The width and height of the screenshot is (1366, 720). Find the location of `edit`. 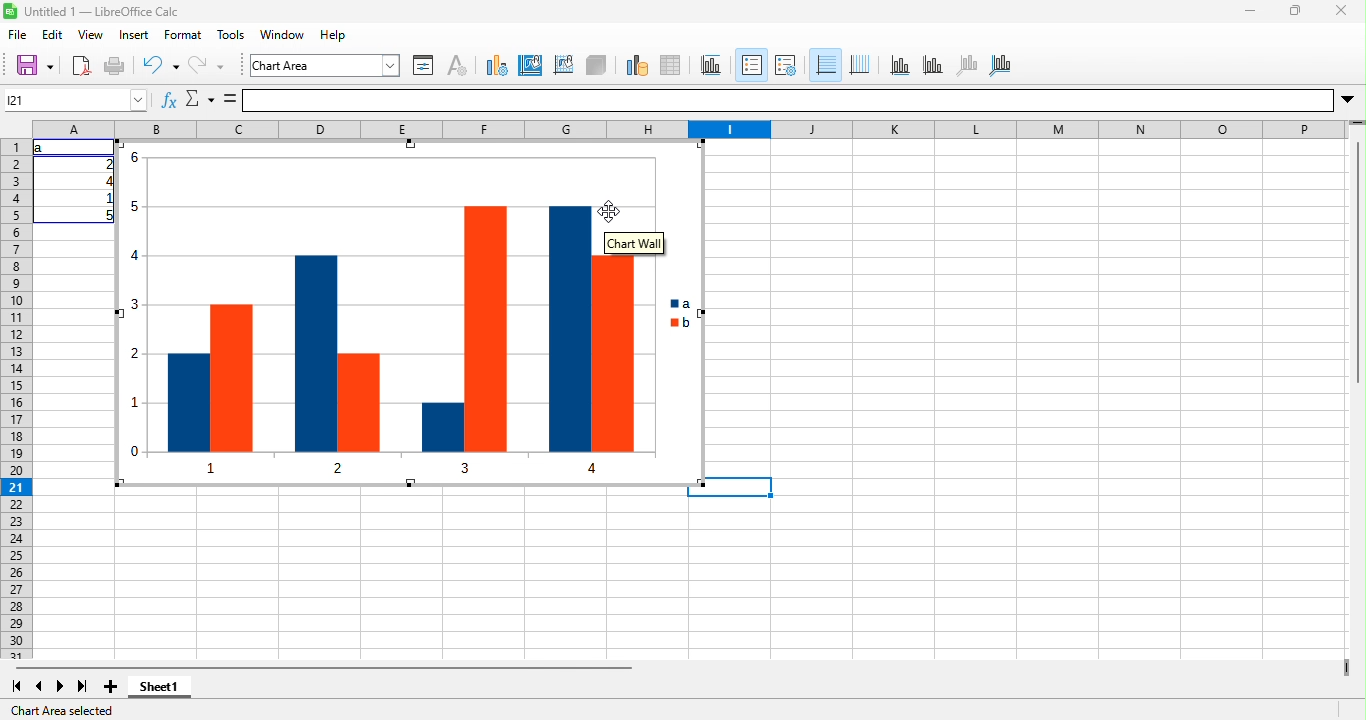

edit is located at coordinates (53, 34).